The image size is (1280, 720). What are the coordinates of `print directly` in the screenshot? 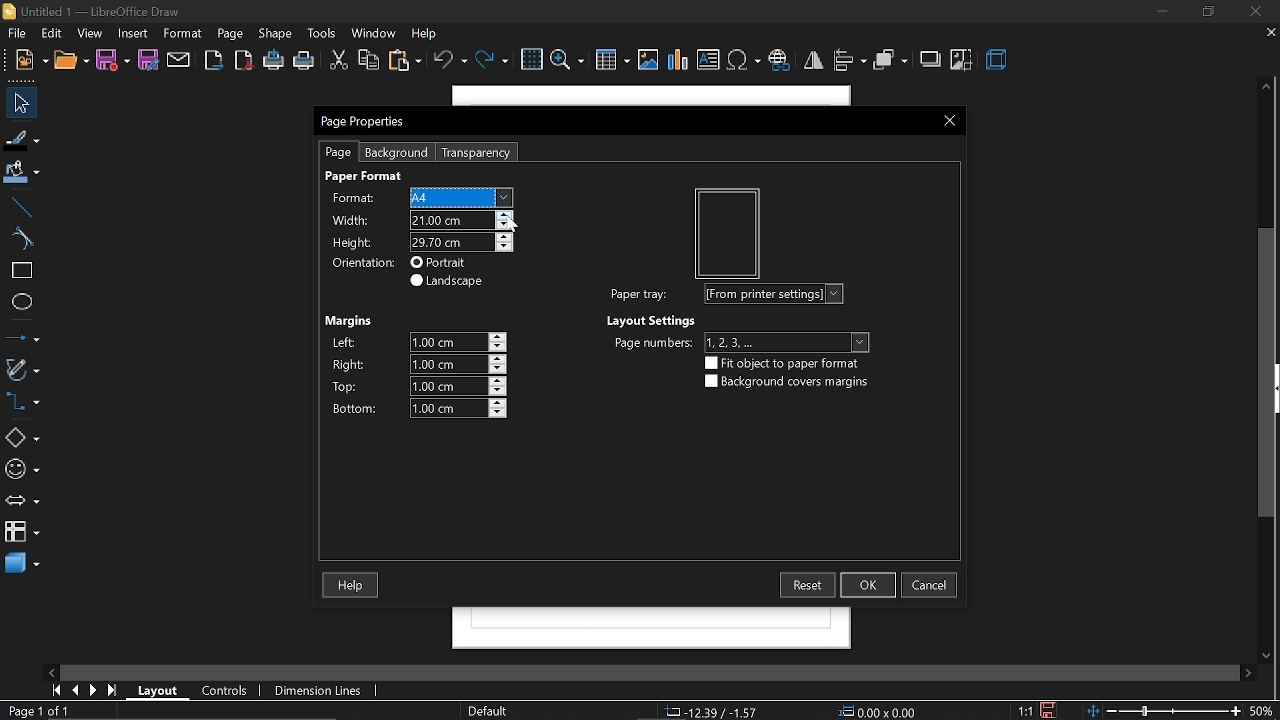 It's located at (273, 59).